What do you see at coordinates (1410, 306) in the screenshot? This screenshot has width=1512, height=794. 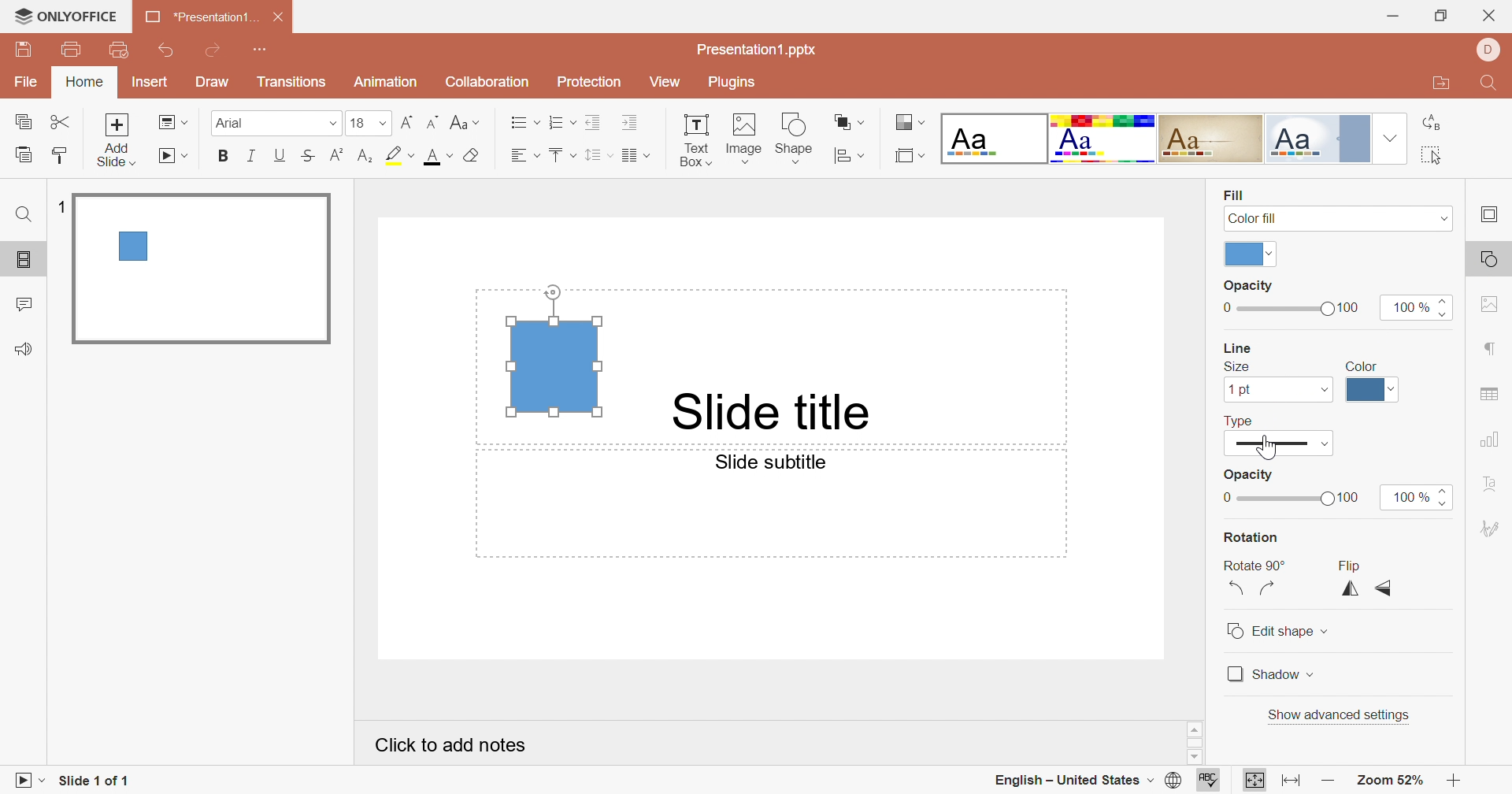 I see `100%` at bounding box center [1410, 306].